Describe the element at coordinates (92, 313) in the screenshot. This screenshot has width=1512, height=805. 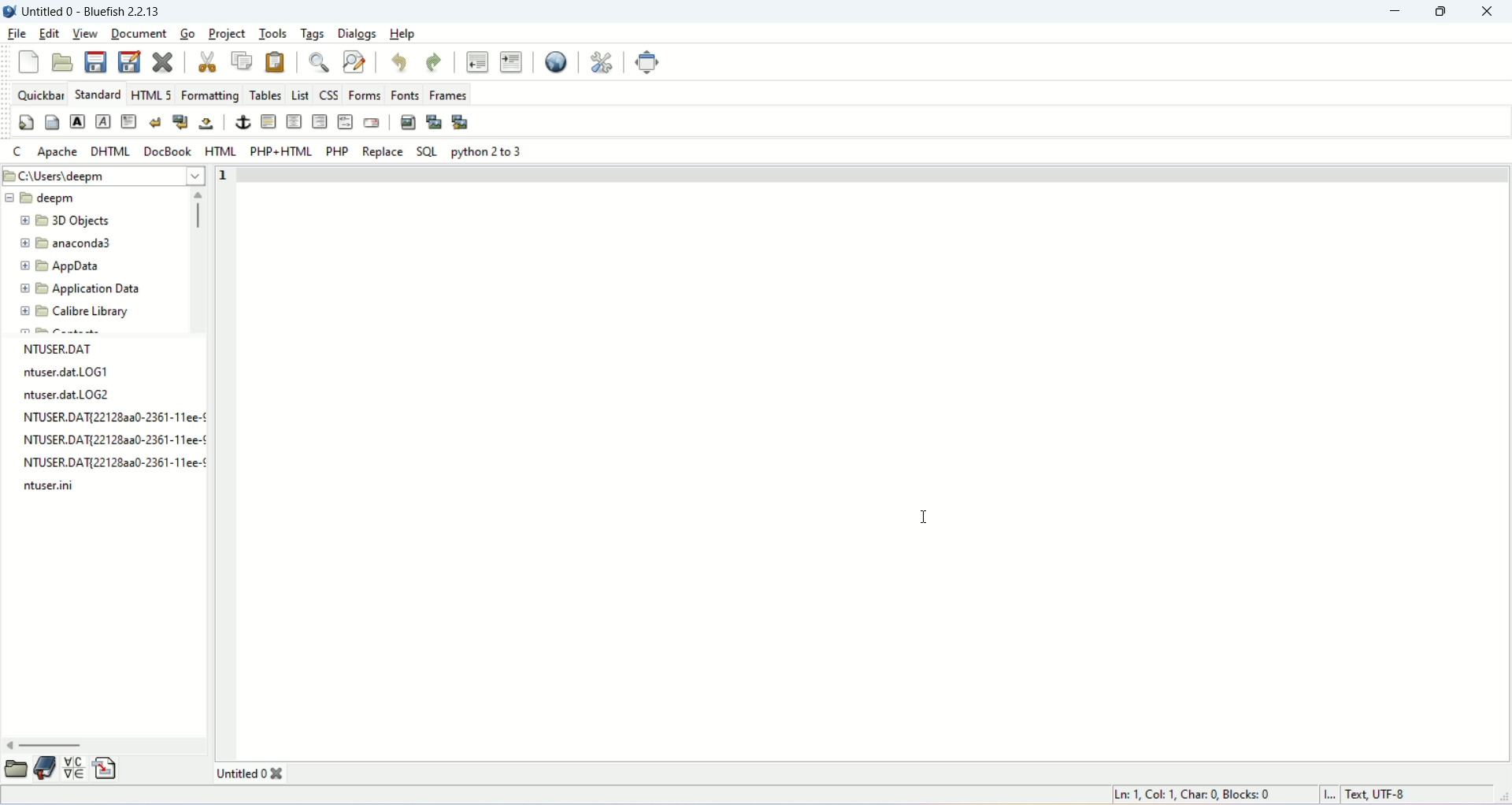
I see `Calibre Library` at that location.